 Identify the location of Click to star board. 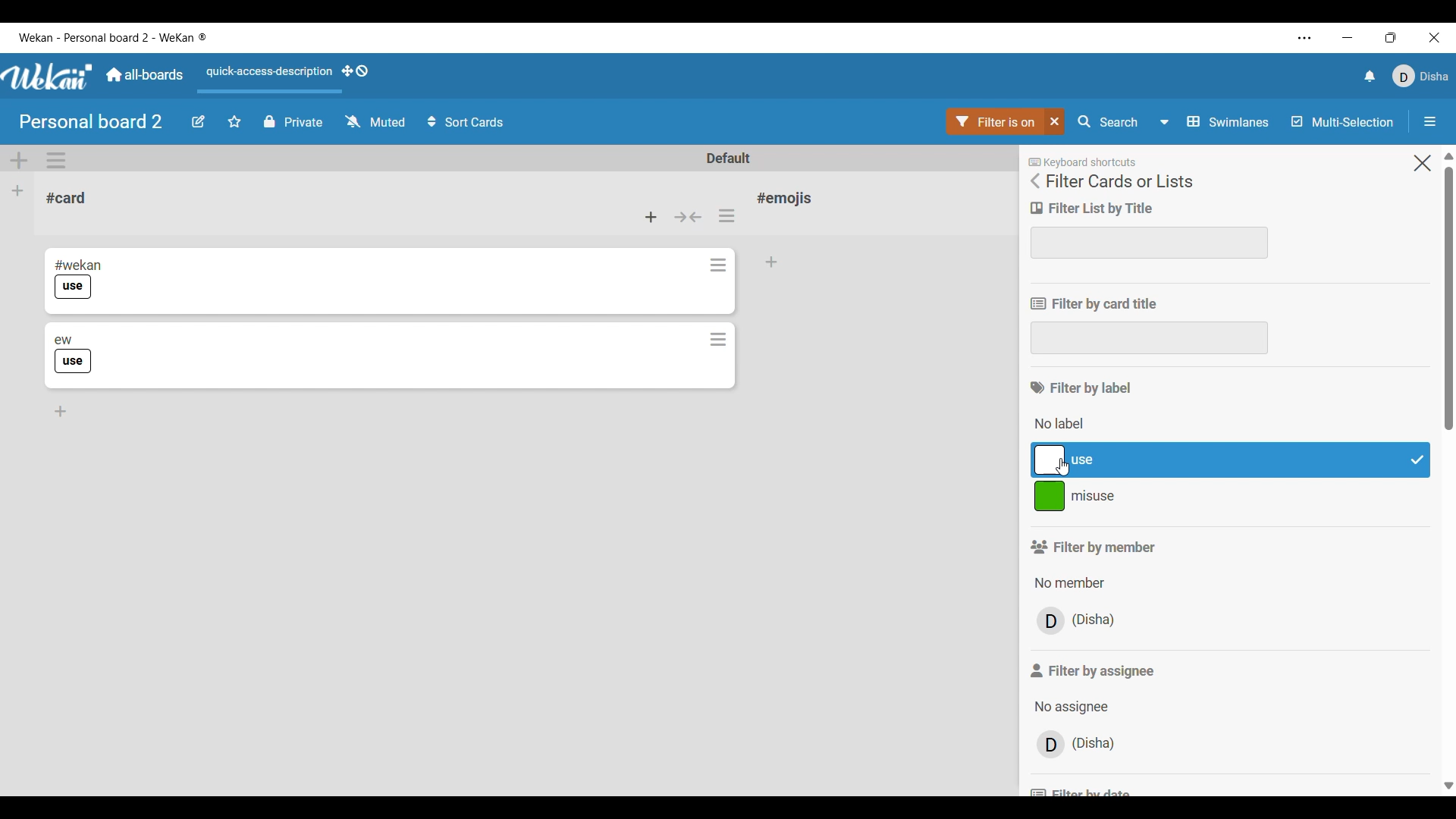
(234, 122).